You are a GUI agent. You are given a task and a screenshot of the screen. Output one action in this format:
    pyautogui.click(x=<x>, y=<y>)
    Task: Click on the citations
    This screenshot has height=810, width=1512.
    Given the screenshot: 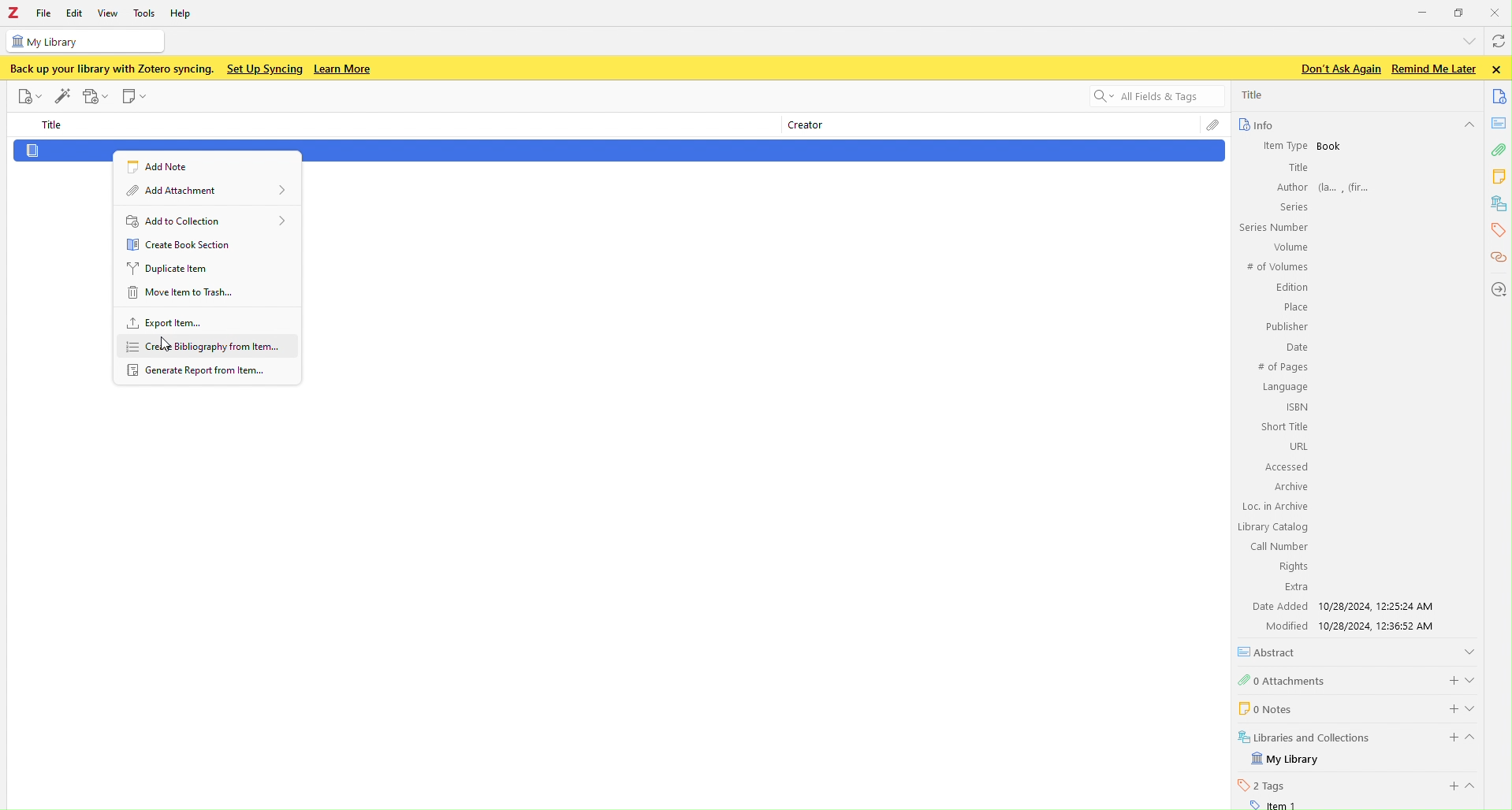 What is the action you would take?
    pyautogui.click(x=1497, y=258)
    